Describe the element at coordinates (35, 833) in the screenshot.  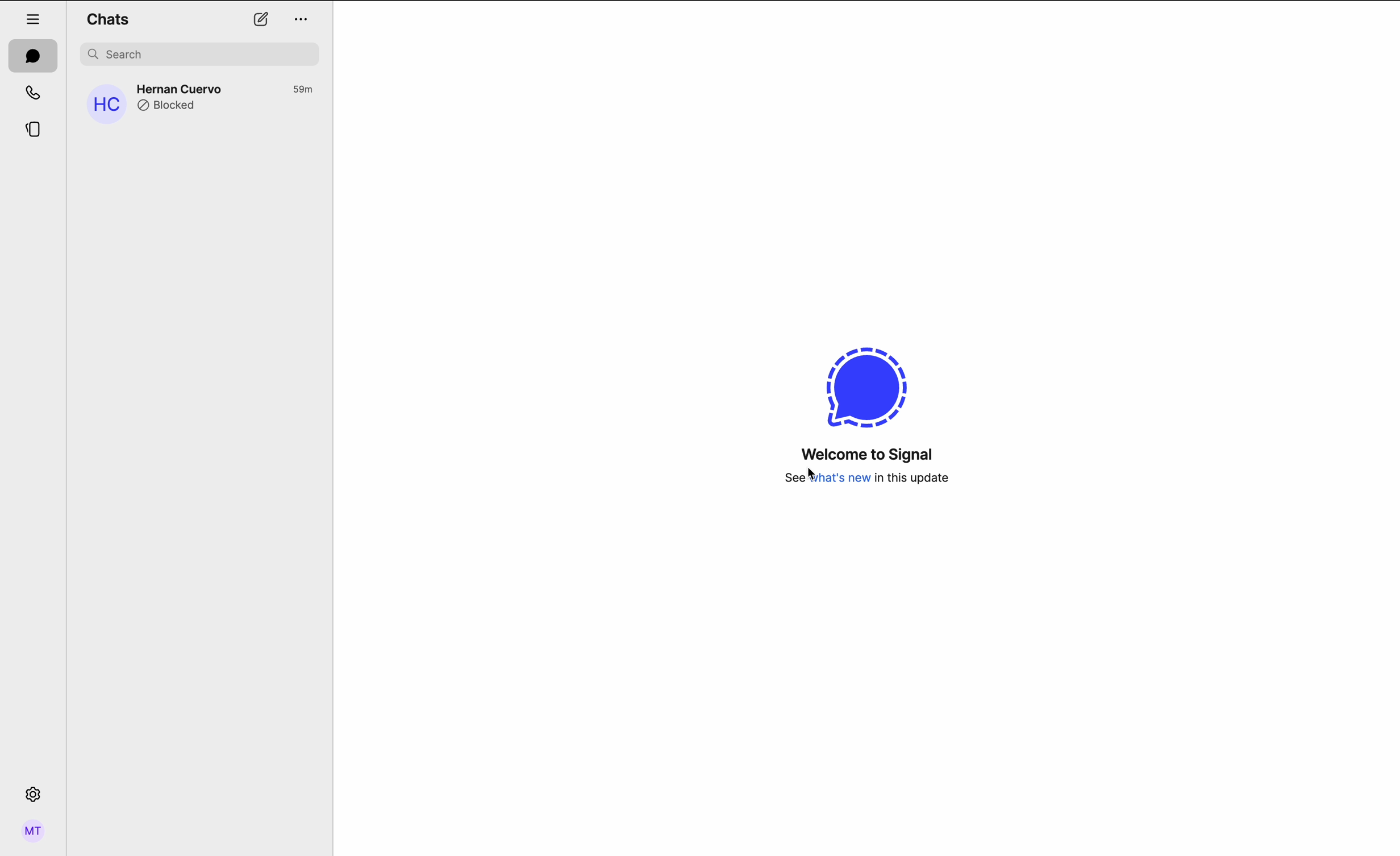
I see `profile` at that location.